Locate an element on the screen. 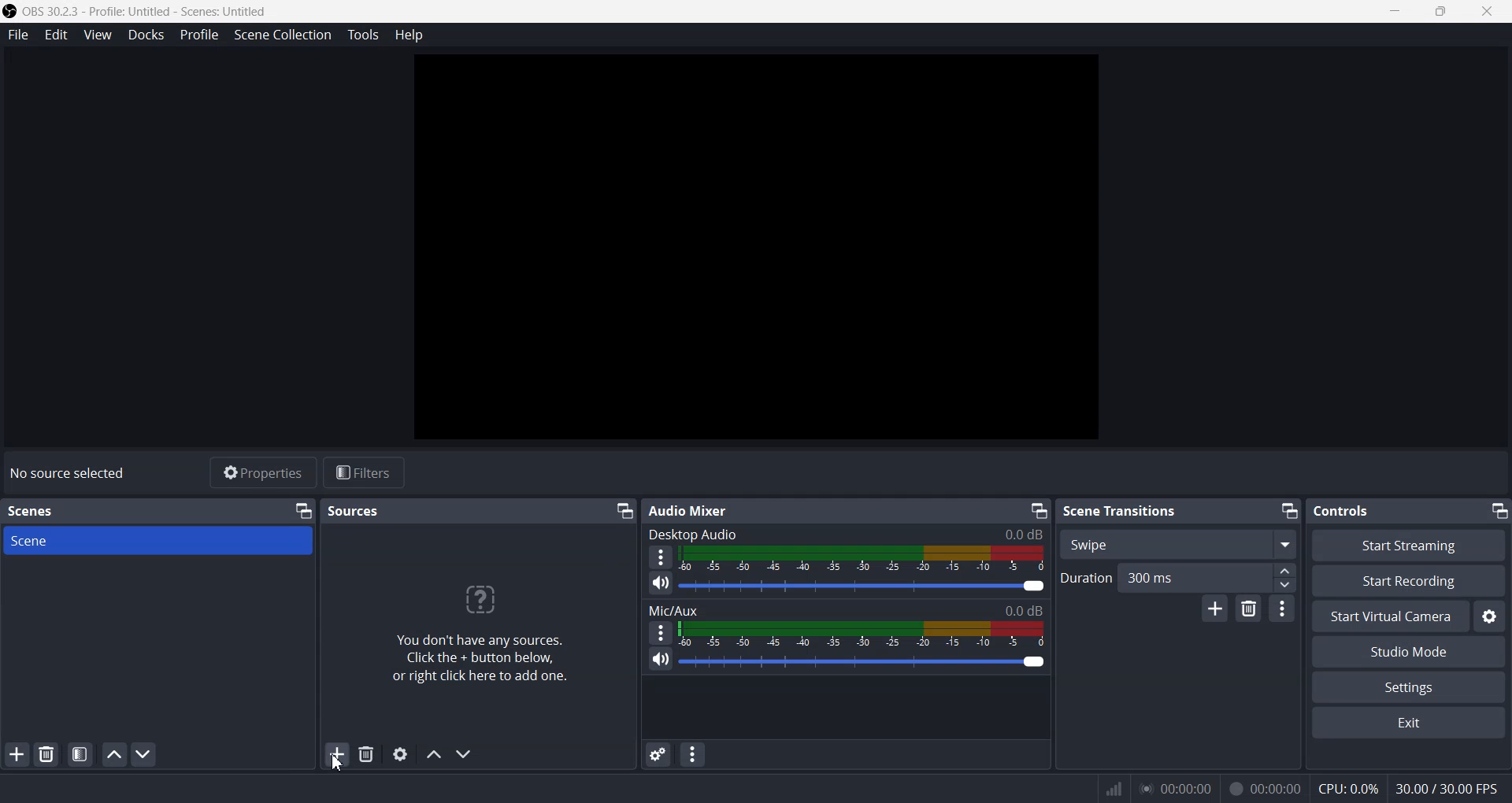  Volume Adjuster is located at coordinates (861, 661).